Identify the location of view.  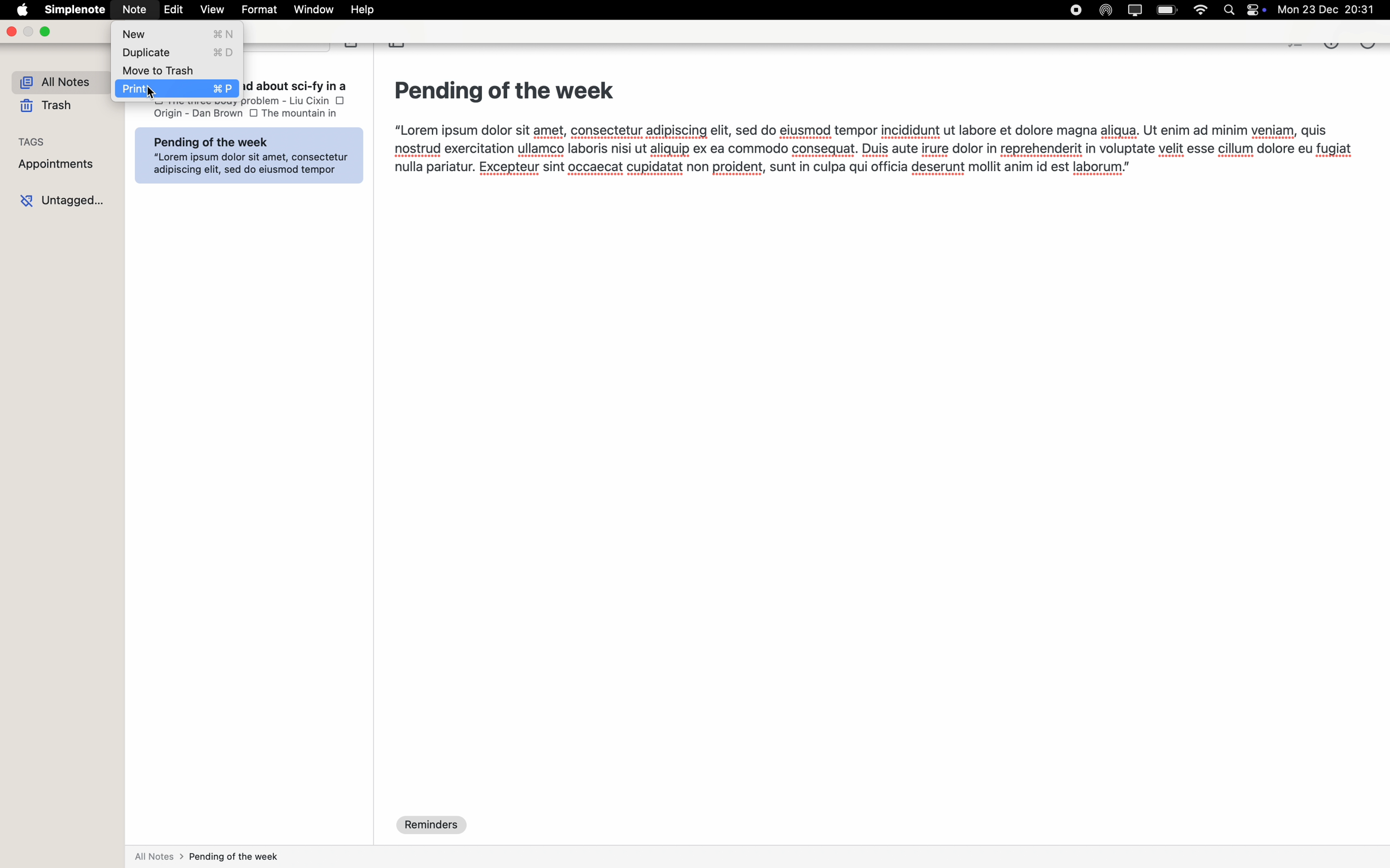
(213, 10).